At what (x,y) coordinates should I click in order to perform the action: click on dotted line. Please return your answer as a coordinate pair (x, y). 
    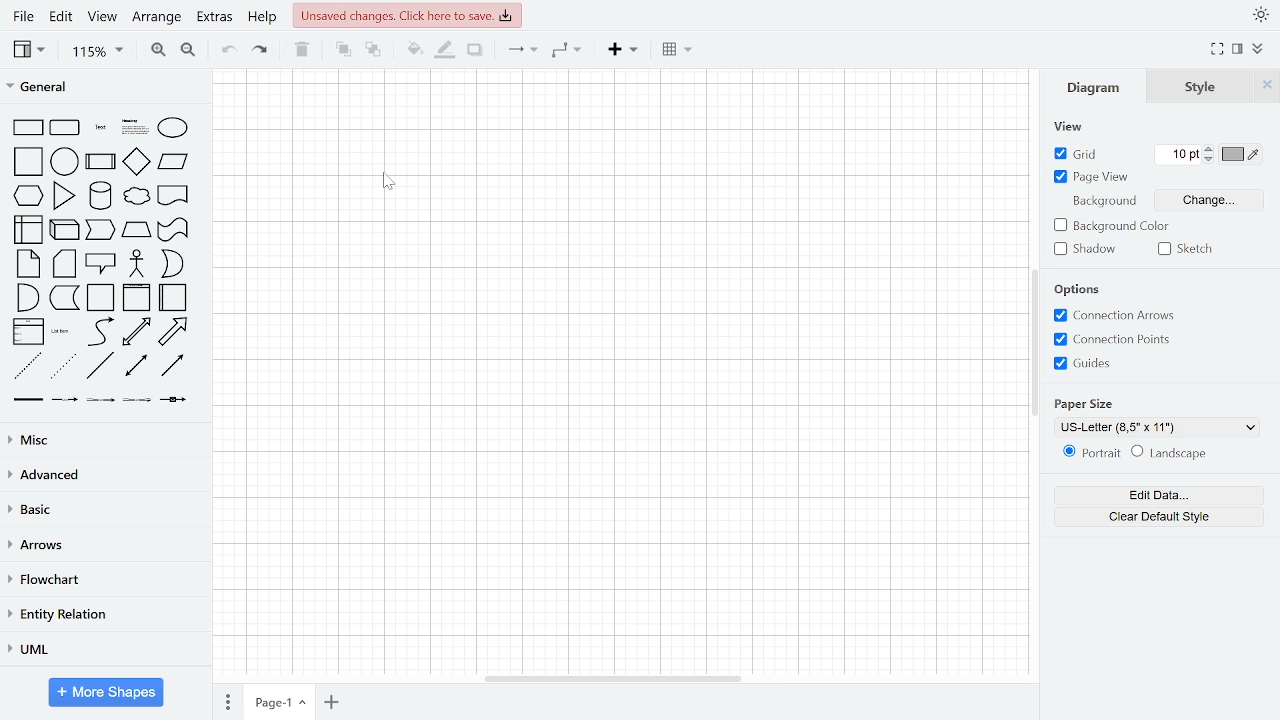
    Looking at the image, I should click on (64, 367).